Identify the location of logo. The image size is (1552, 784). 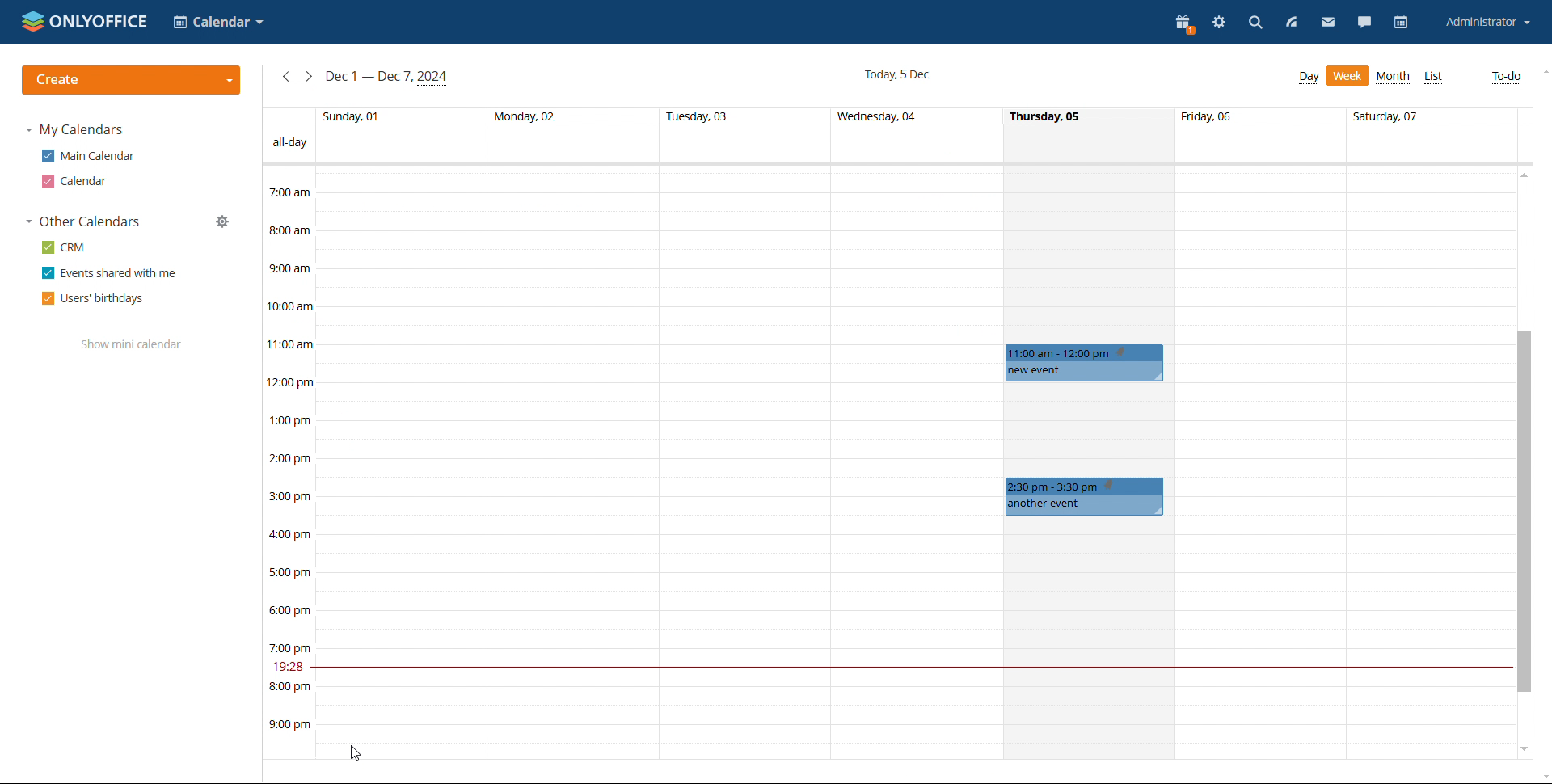
(86, 21).